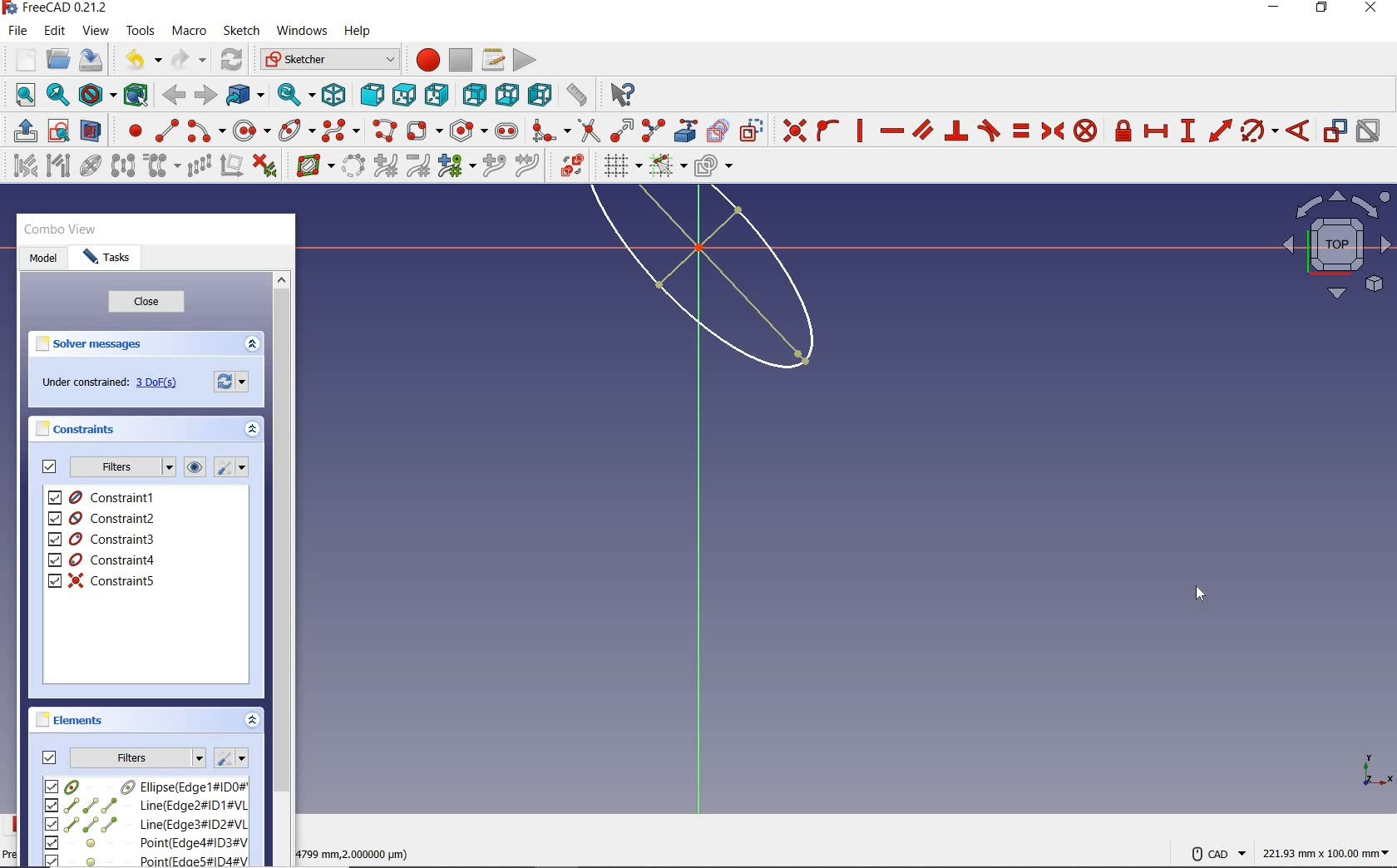 The width and height of the screenshot is (1397, 868). I want to click on constrain block, so click(1084, 130).